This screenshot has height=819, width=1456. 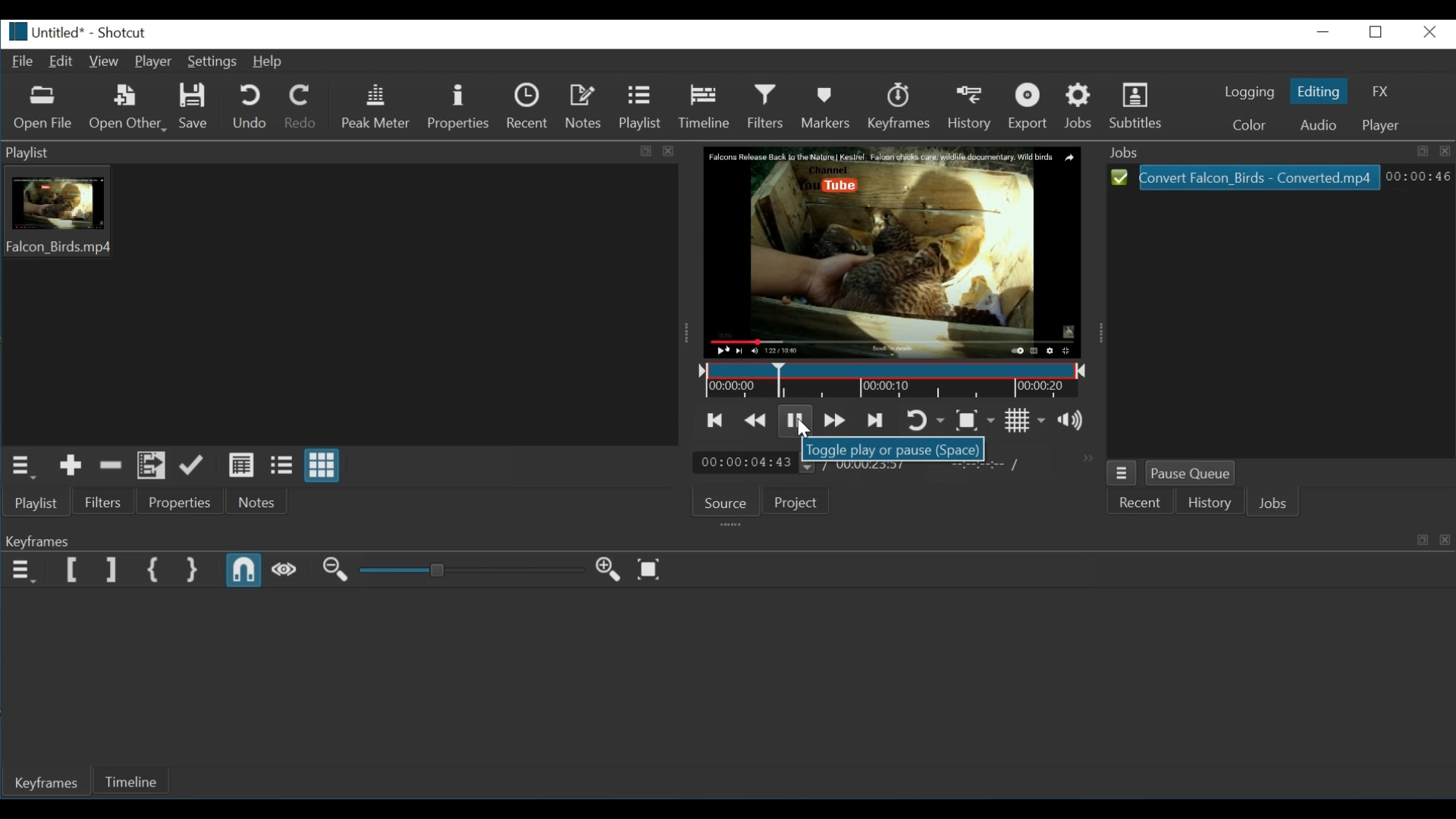 What do you see at coordinates (458, 106) in the screenshot?
I see `Properties` at bounding box center [458, 106].